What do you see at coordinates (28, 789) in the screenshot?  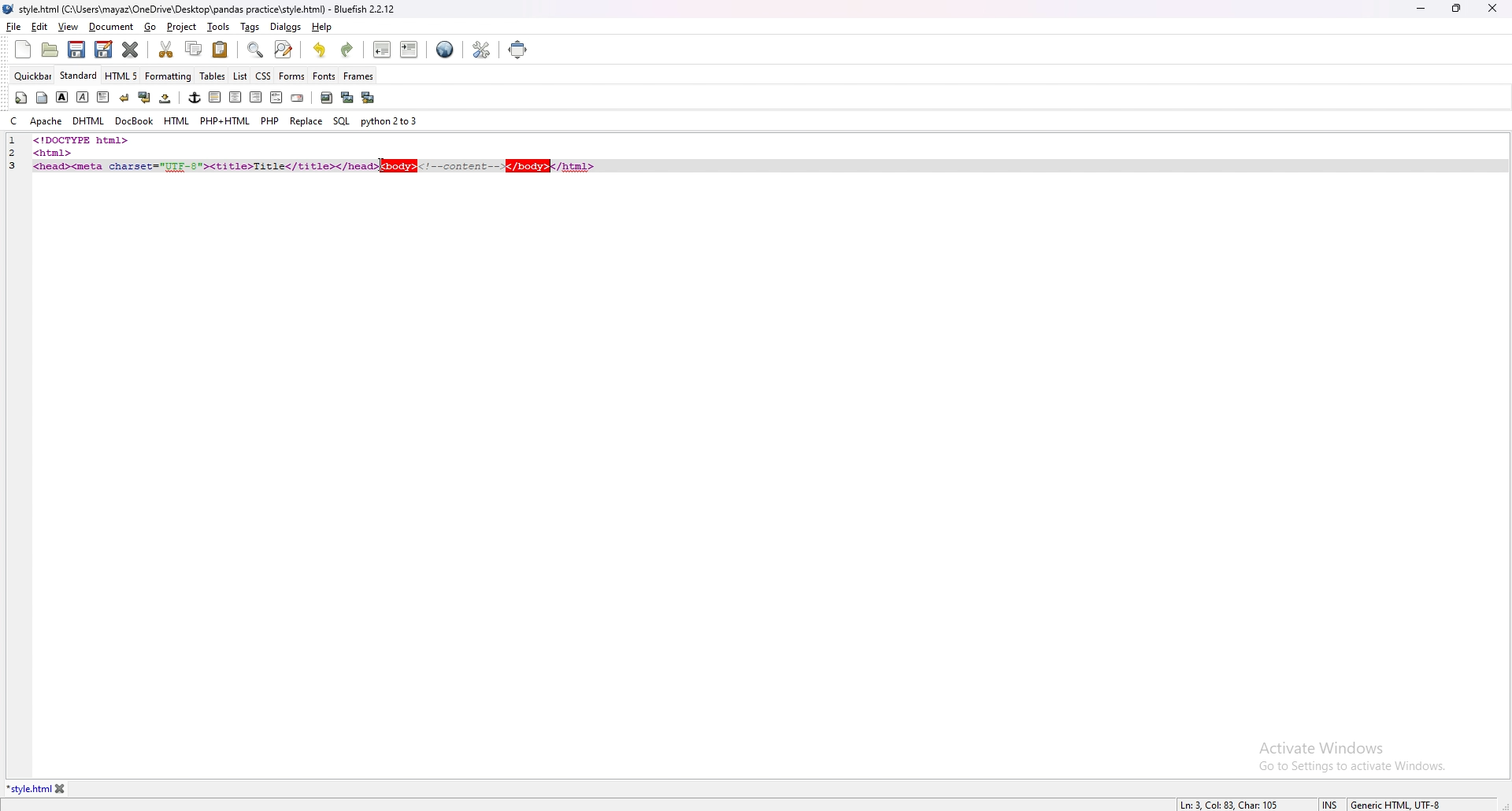 I see `tab` at bounding box center [28, 789].